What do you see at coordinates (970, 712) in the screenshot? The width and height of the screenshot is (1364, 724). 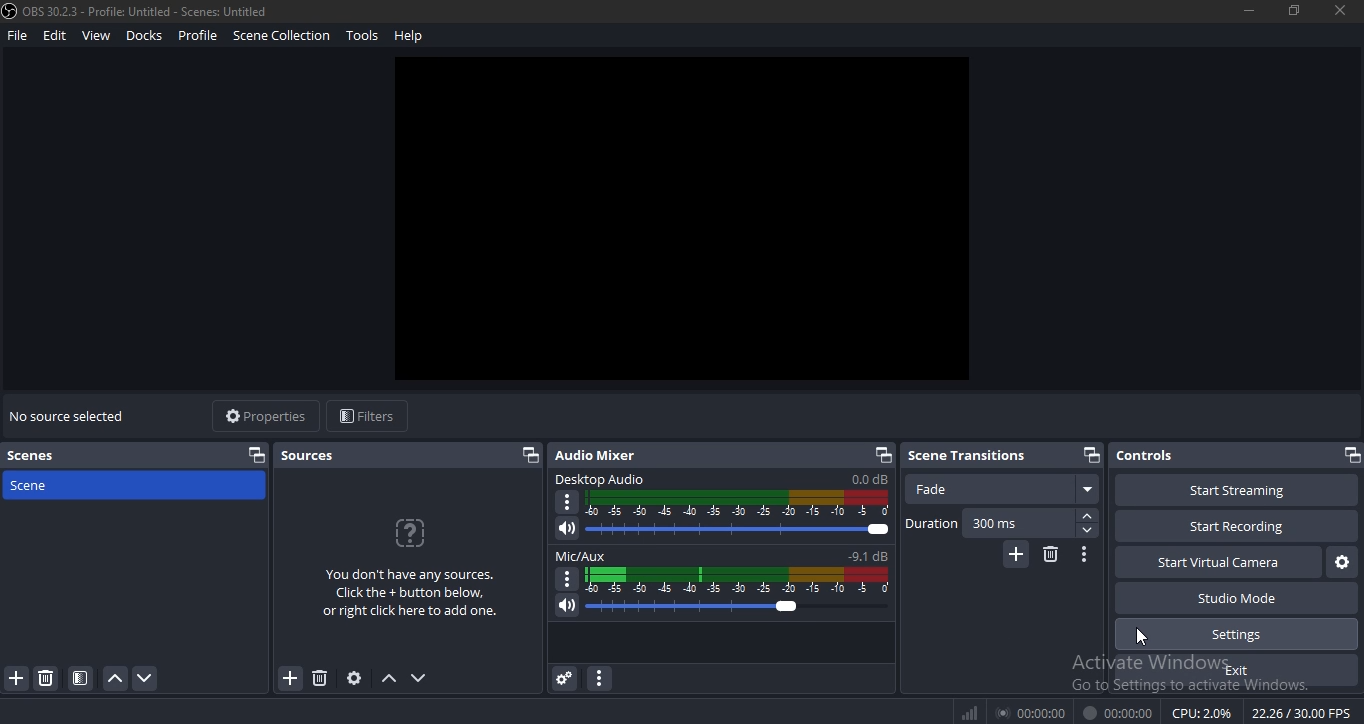 I see `icon` at bounding box center [970, 712].